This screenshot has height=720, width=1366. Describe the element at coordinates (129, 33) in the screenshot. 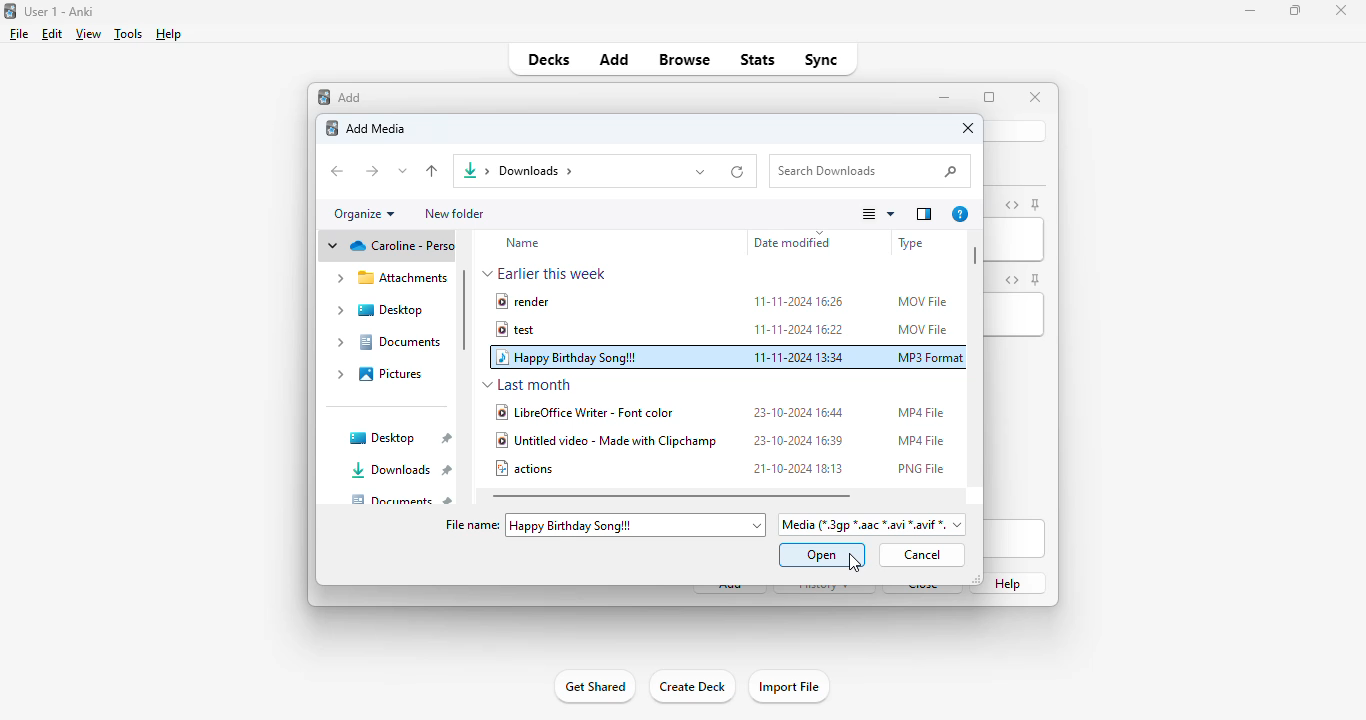

I see `tools` at that location.